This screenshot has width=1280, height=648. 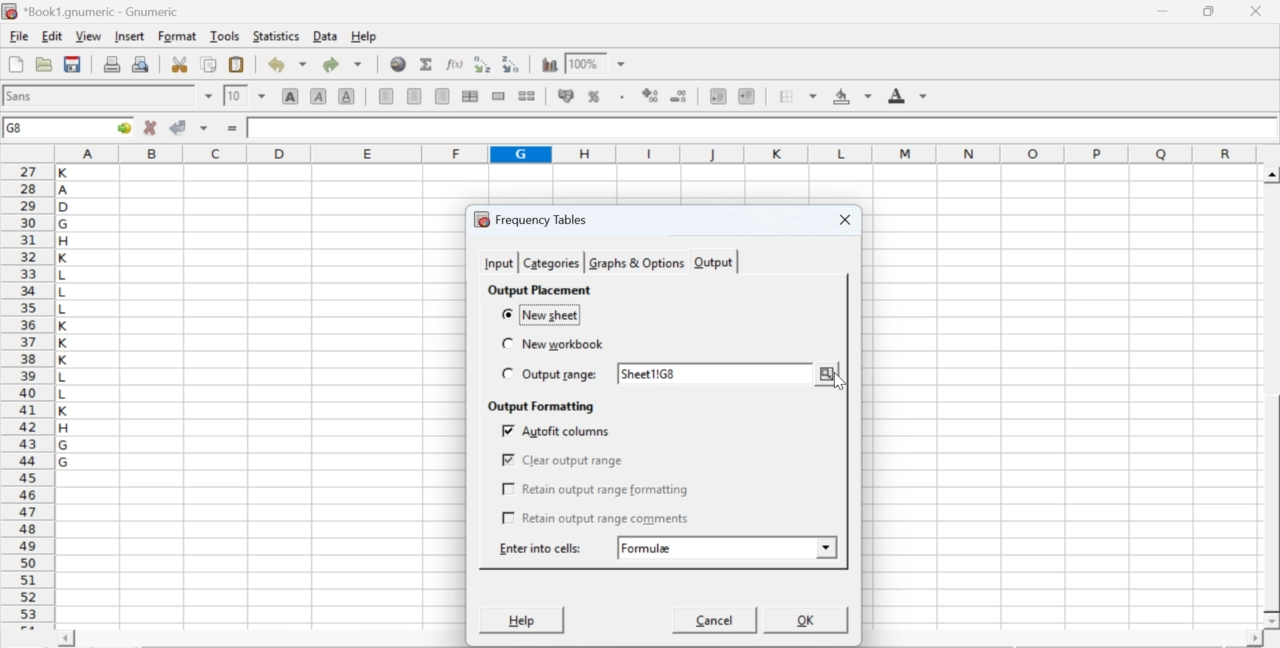 What do you see at coordinates (550, 344) in the screenshot?
I see `new workbook` at bounding box center [550, 344].